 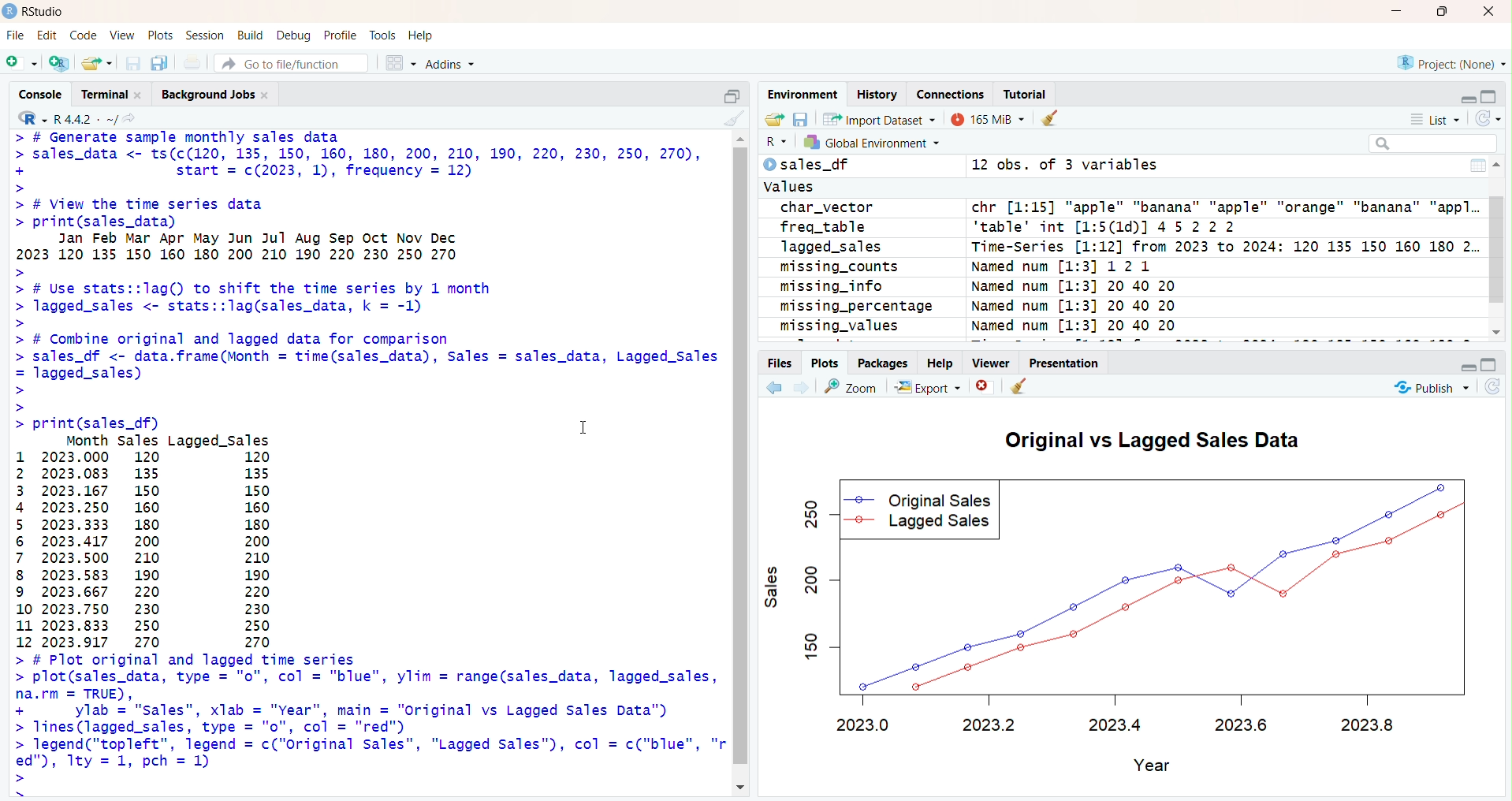 I want to click on open an existing file, so click(x=97, y=63).